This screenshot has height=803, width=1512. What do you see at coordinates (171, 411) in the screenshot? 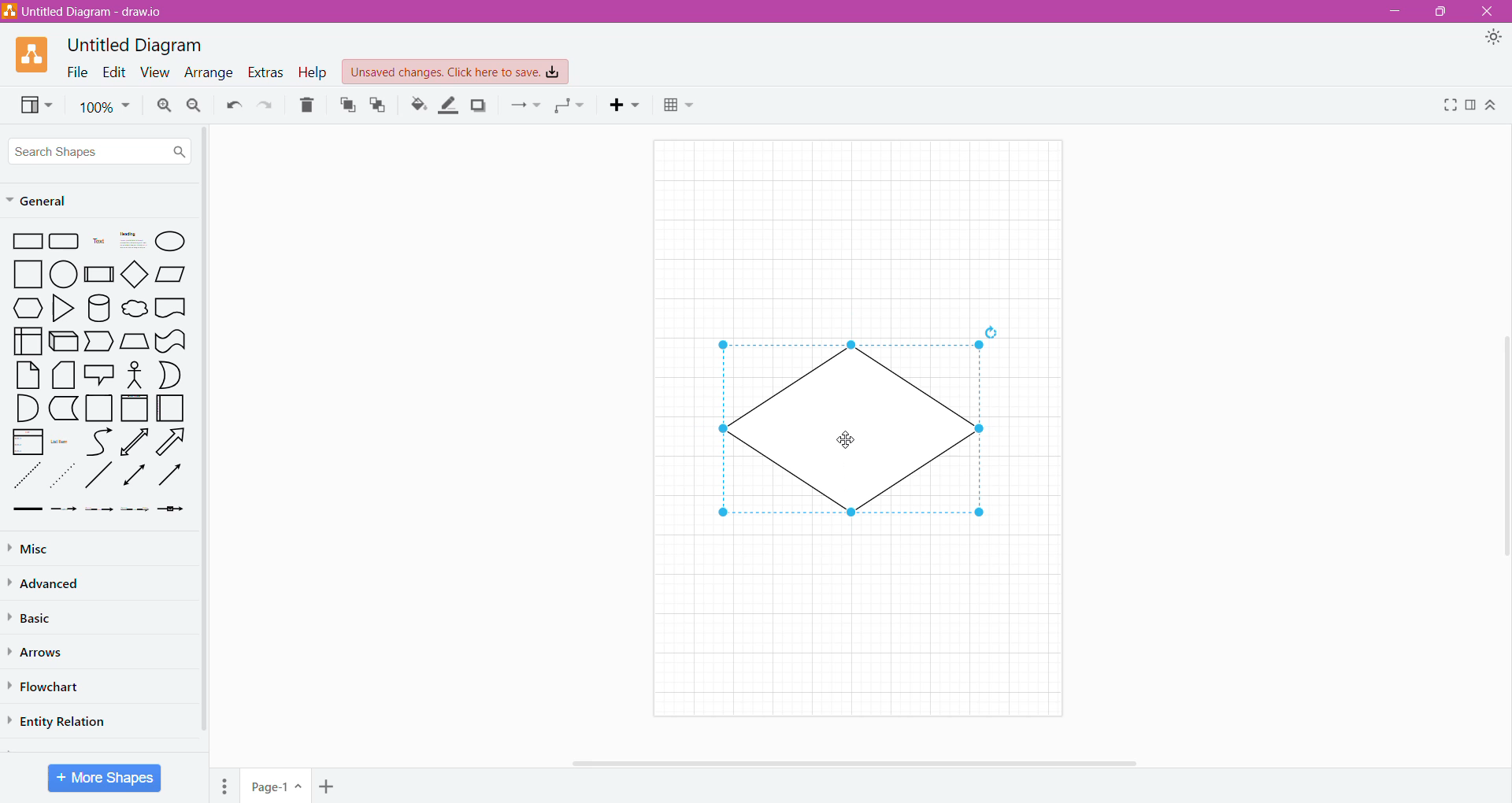
I see `Horizontal Container` at bounding box center [171, 411].